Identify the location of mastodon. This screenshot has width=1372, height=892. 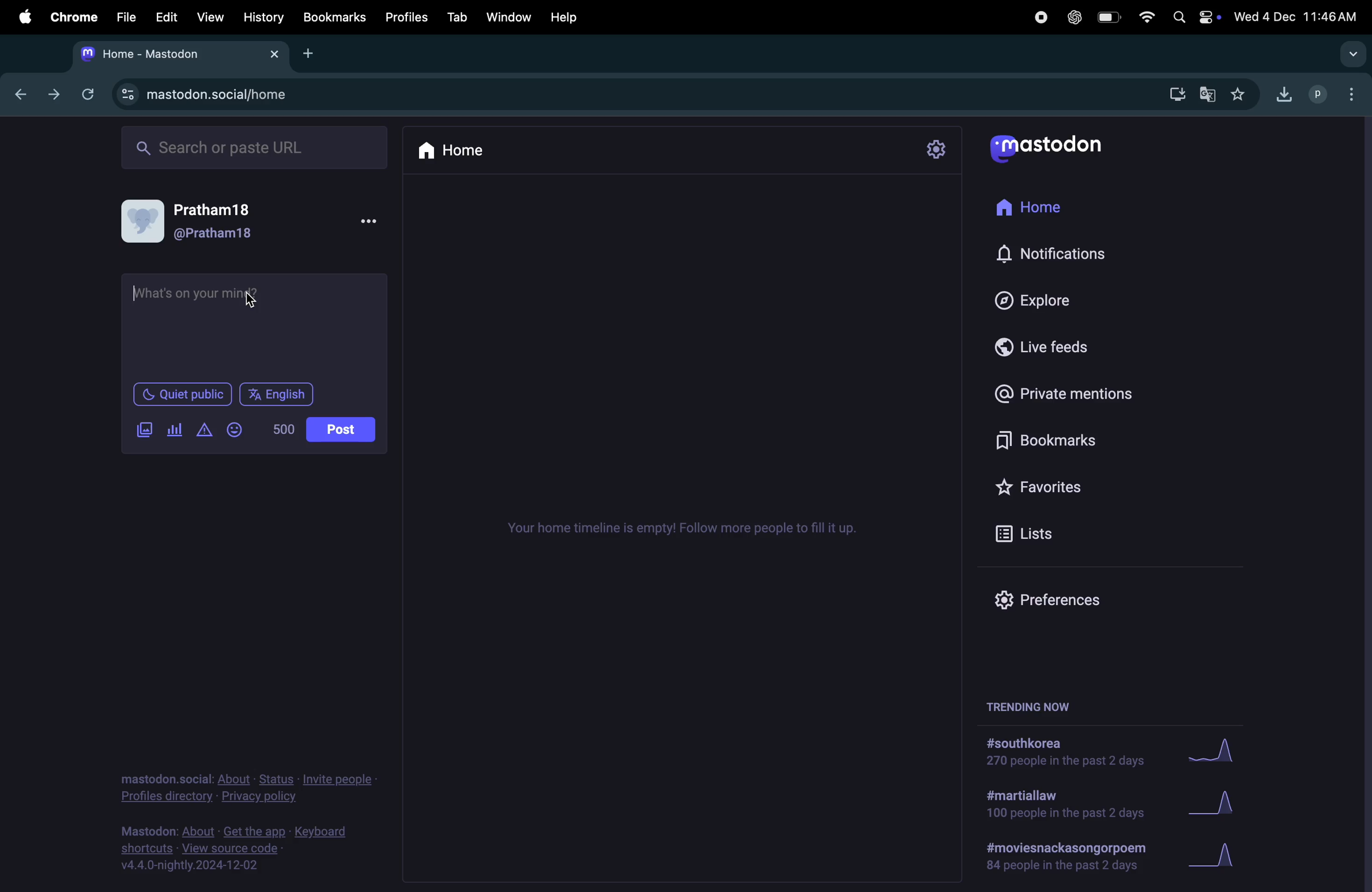
(1053, 146).